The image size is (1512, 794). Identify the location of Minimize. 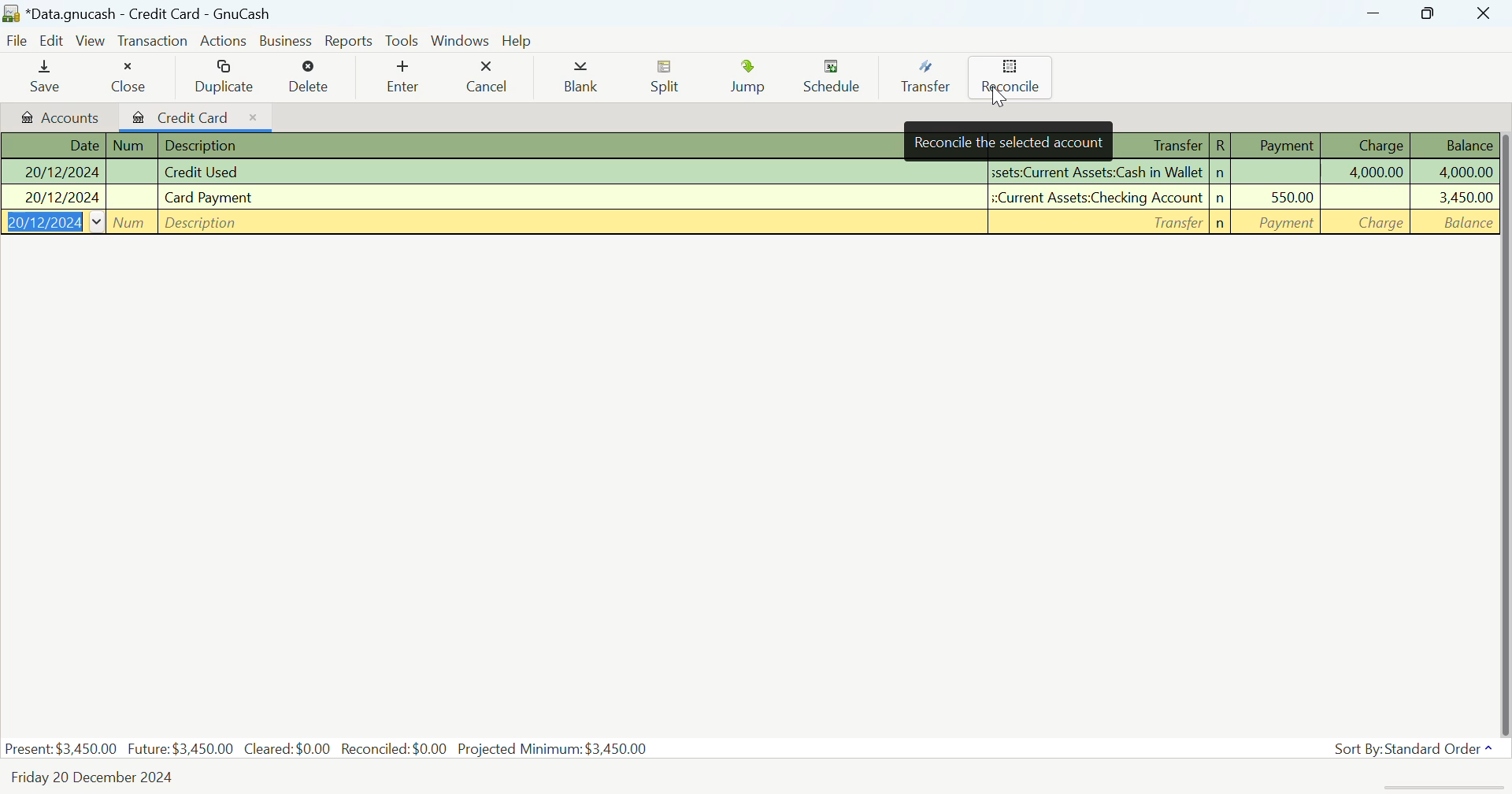
(1428, 14).